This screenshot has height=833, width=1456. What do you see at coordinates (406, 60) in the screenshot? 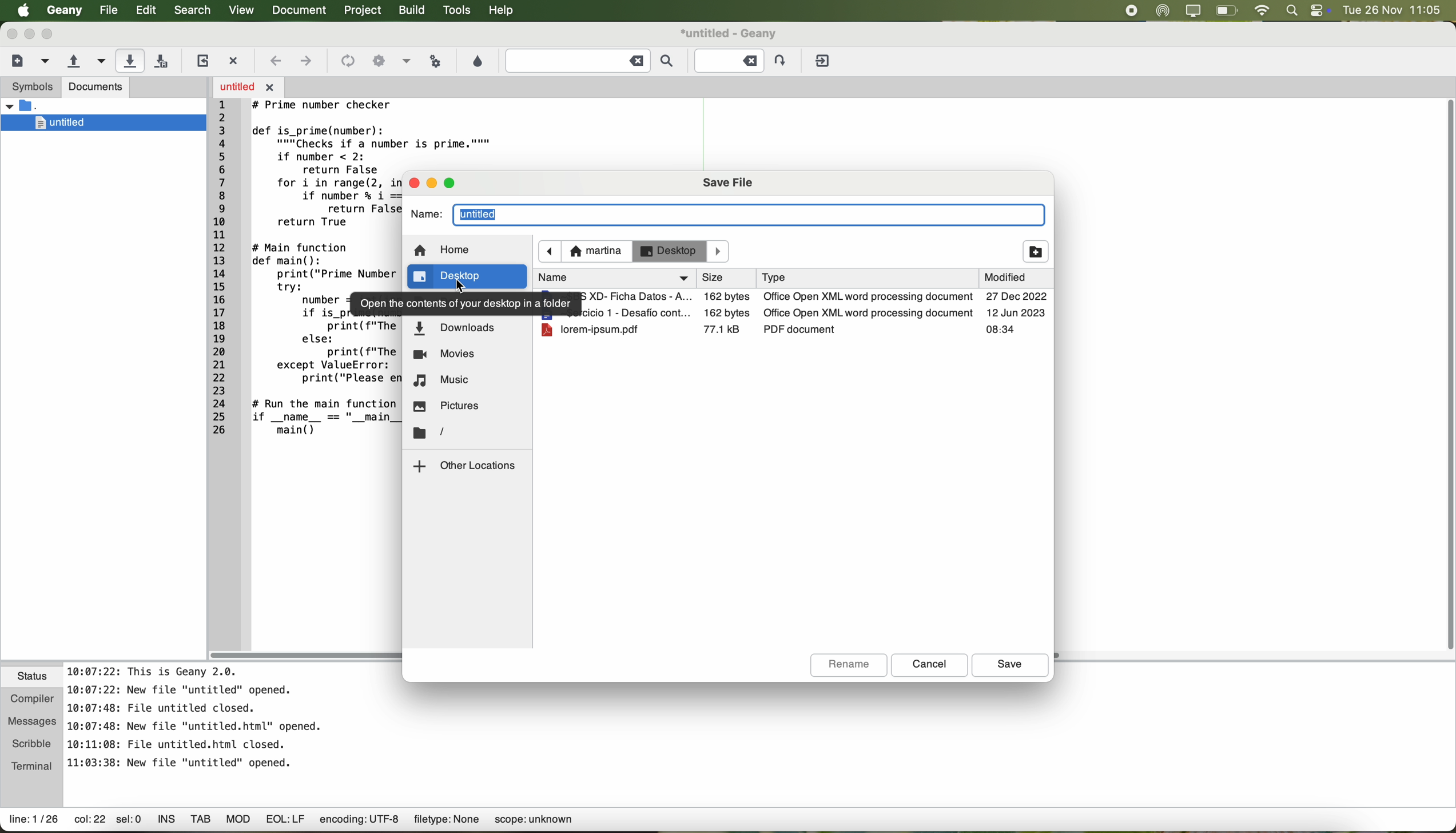
I see `option` at bounding box center [406, 60].